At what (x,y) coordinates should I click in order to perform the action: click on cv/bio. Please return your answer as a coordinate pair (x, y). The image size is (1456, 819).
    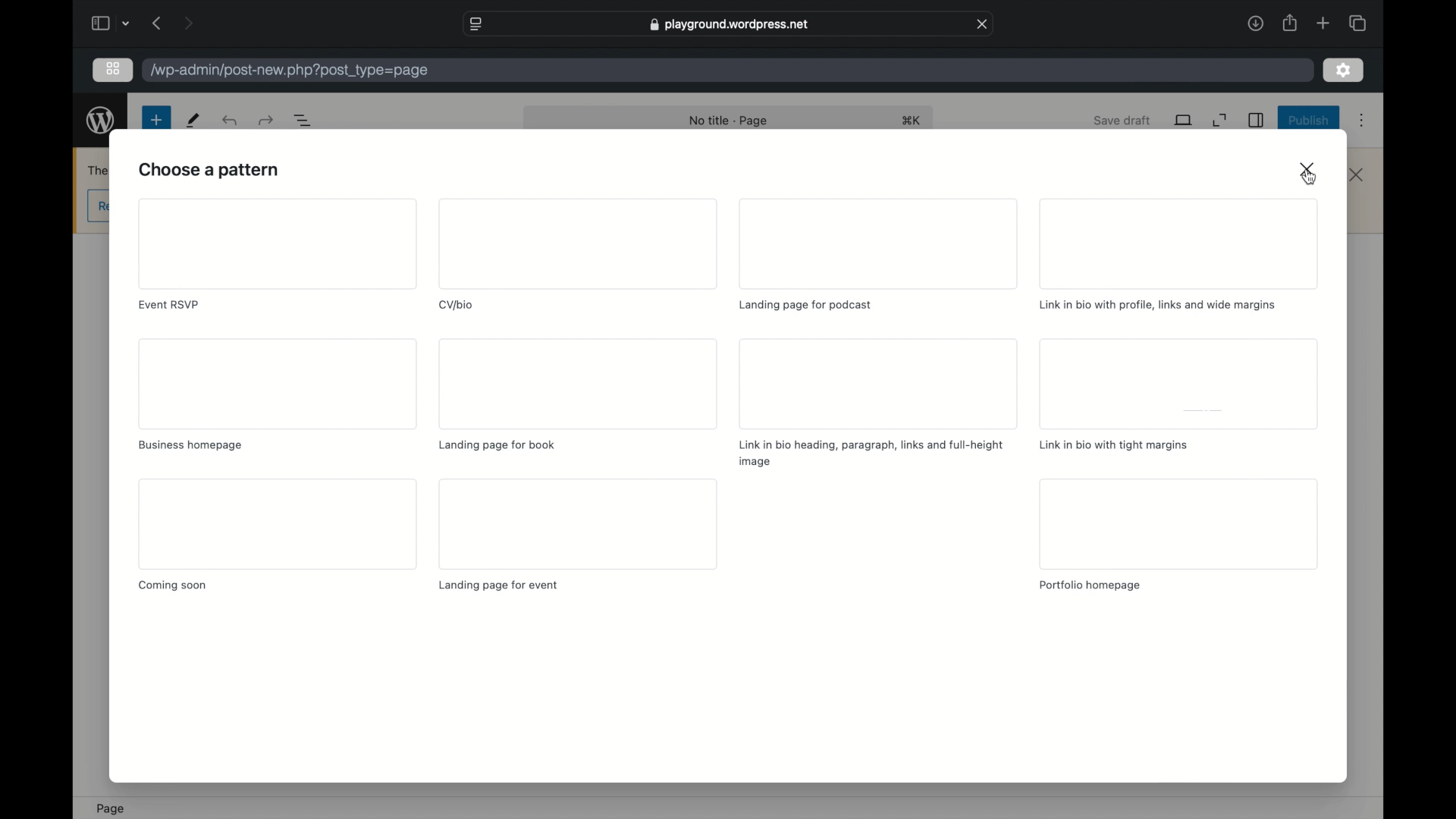
    Looking at the image, I should click on (457, 304).